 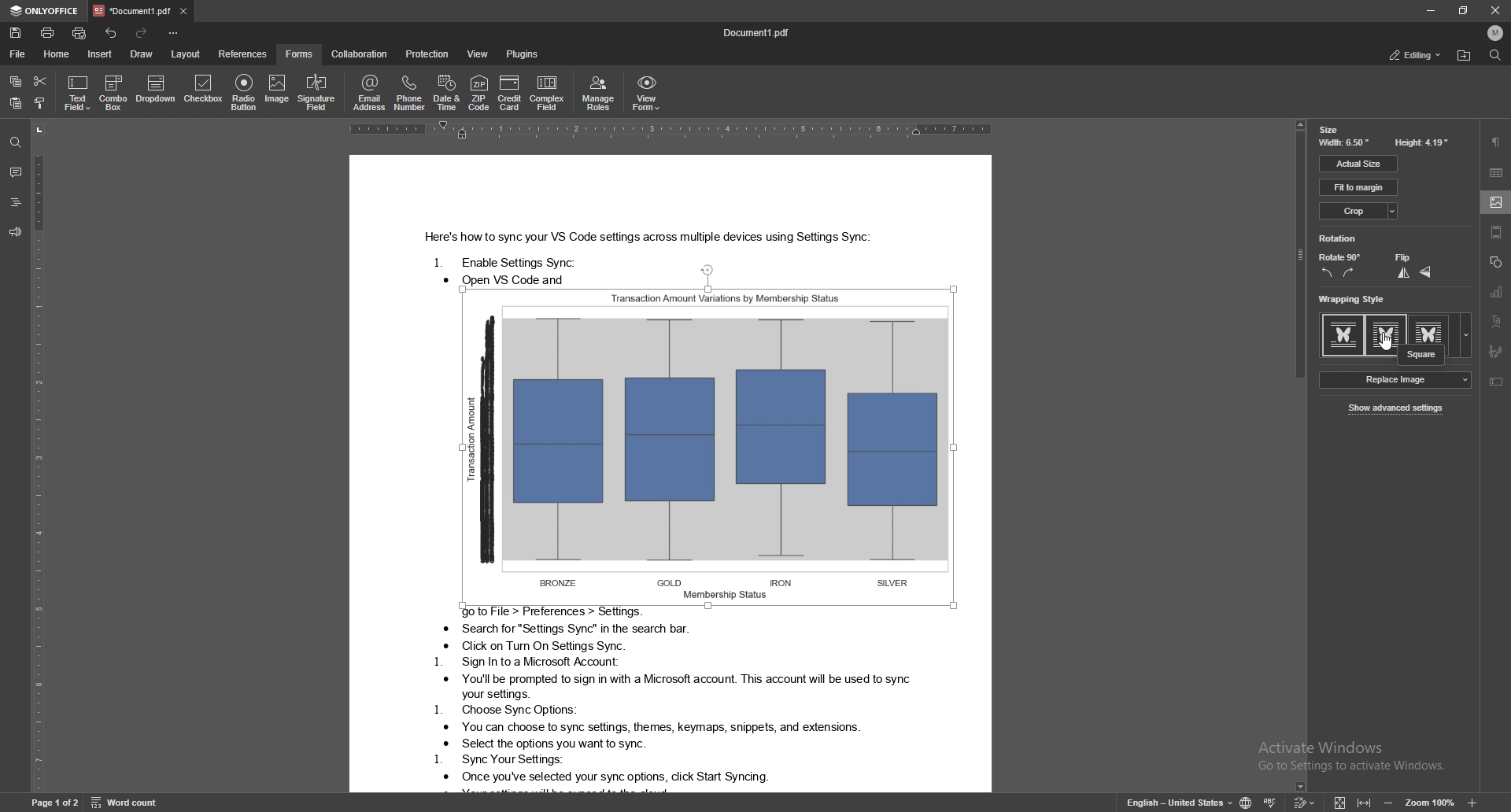 What do you see at coordinates (13, 231) in the screenshot?
I see `feedback` at bounding box center [13, 231].